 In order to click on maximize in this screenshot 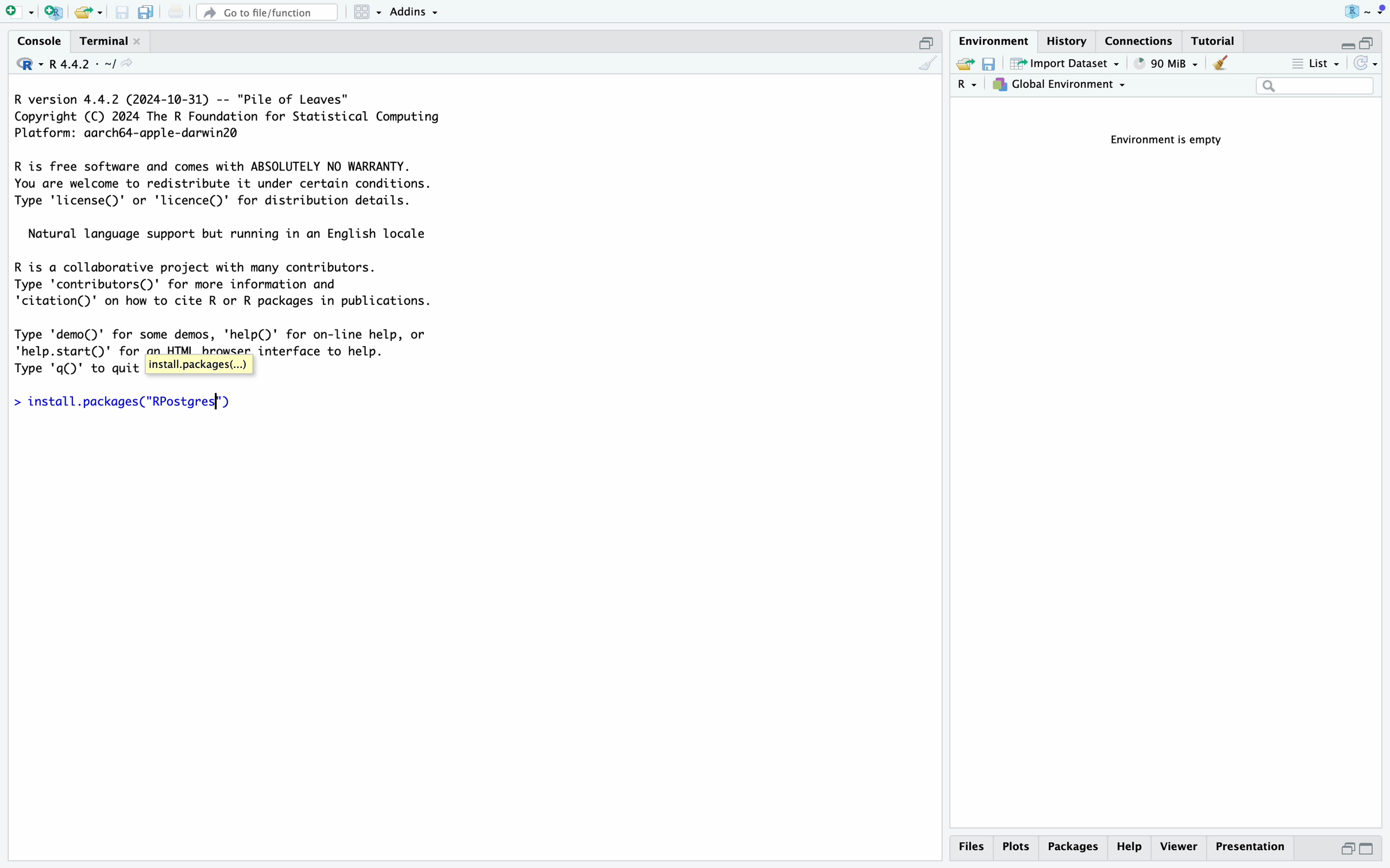, I will do `click(1374, 850)`.